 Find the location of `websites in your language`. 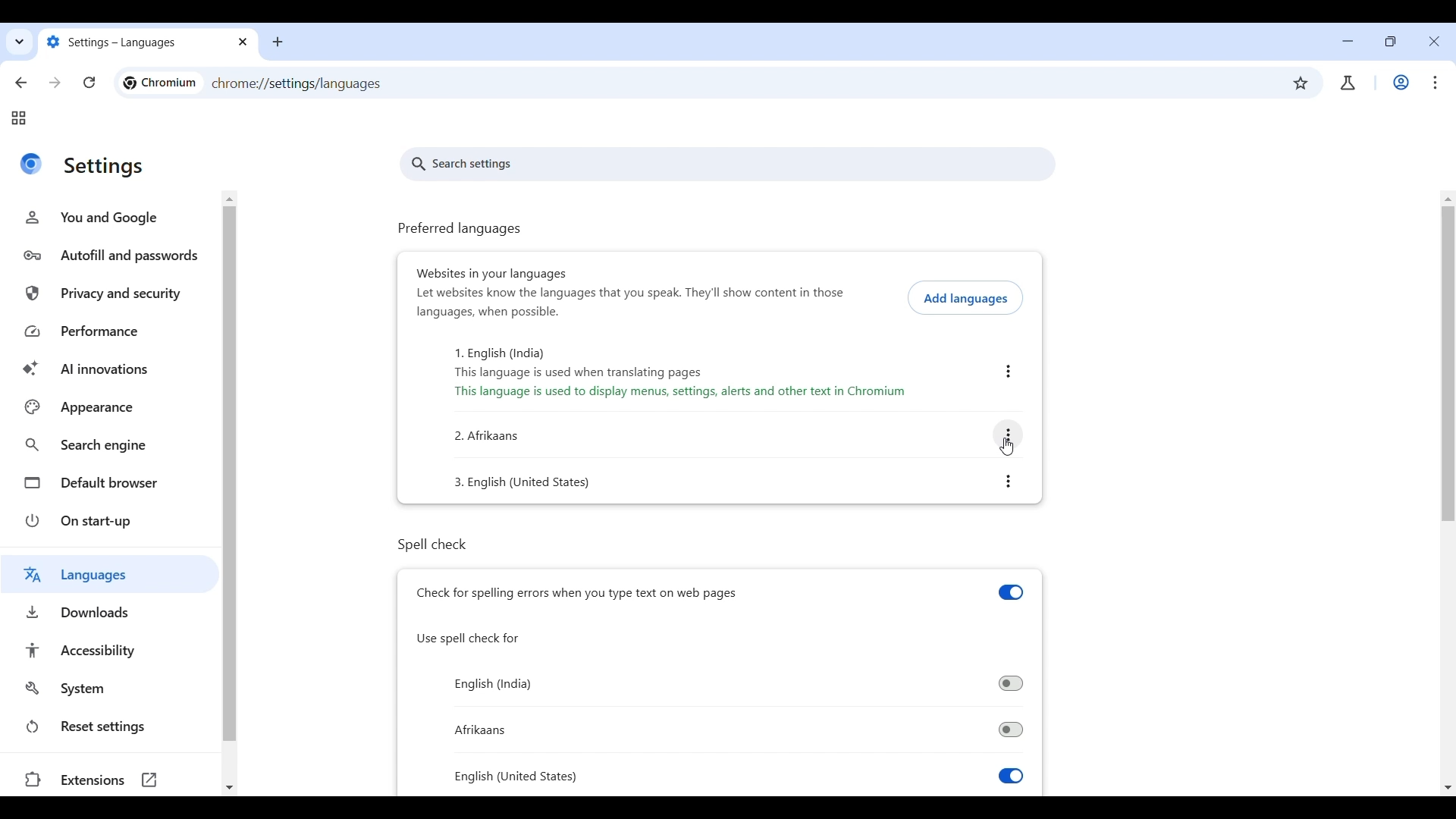

websites in your language is located at coordinates (488, 272).